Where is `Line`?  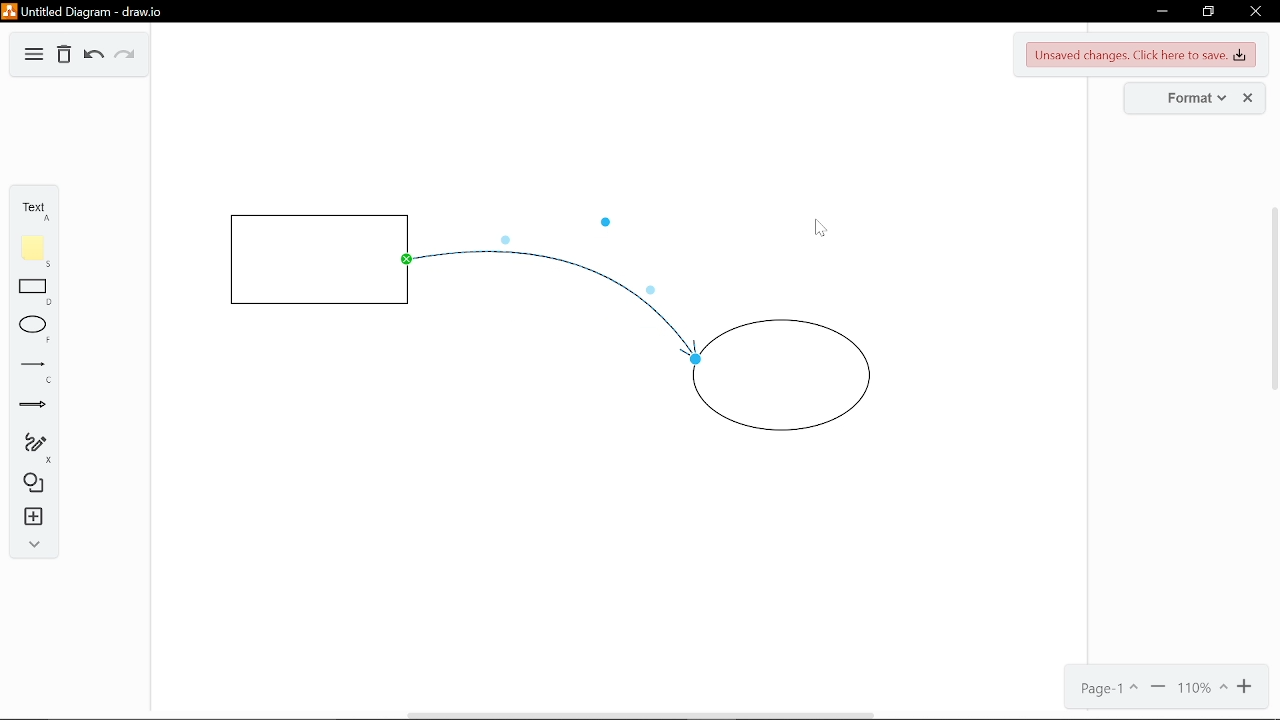 Line is located at coordinates (30, 371).